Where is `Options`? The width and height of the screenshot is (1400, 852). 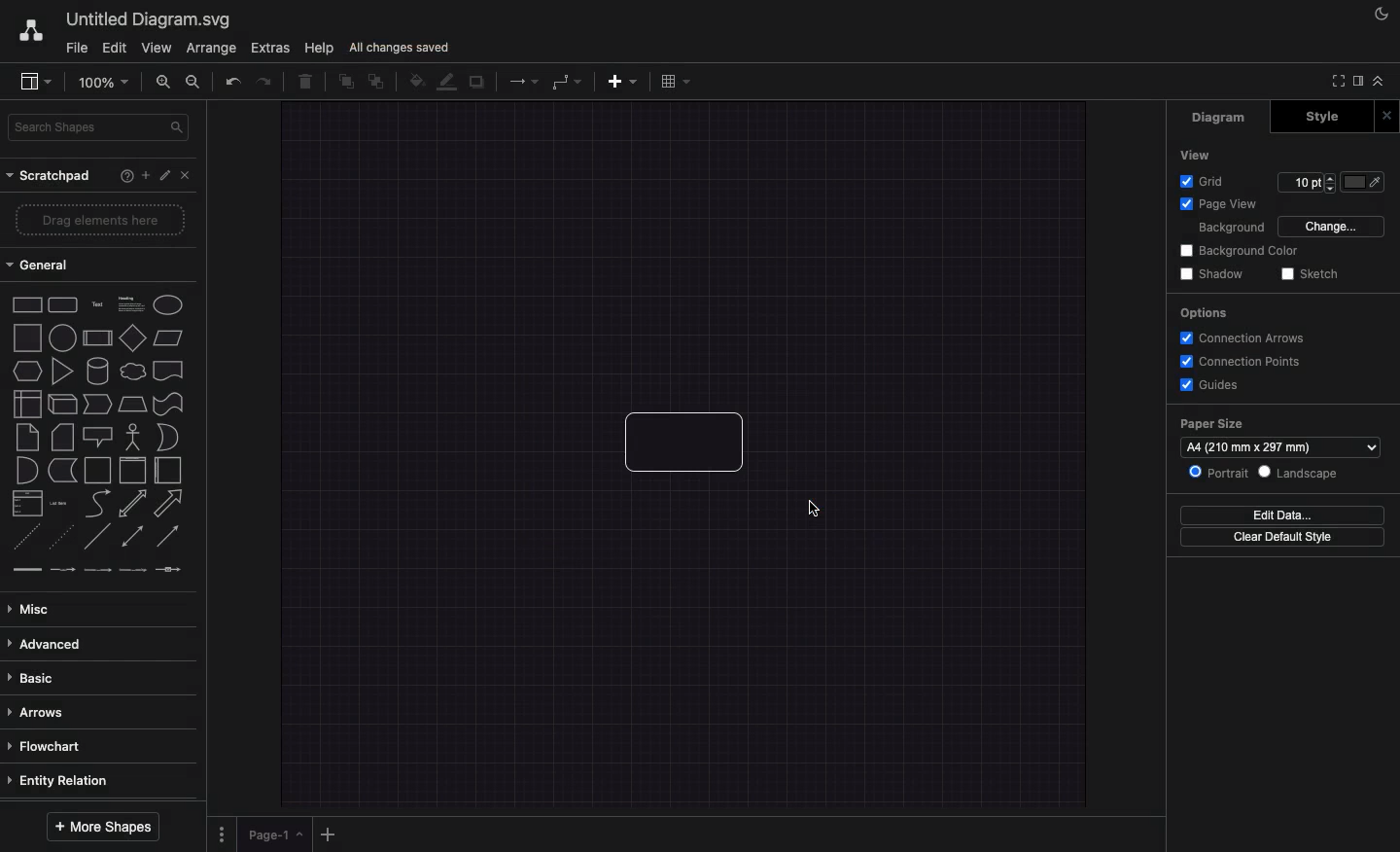 Options is located at coordinates (1205, 313).